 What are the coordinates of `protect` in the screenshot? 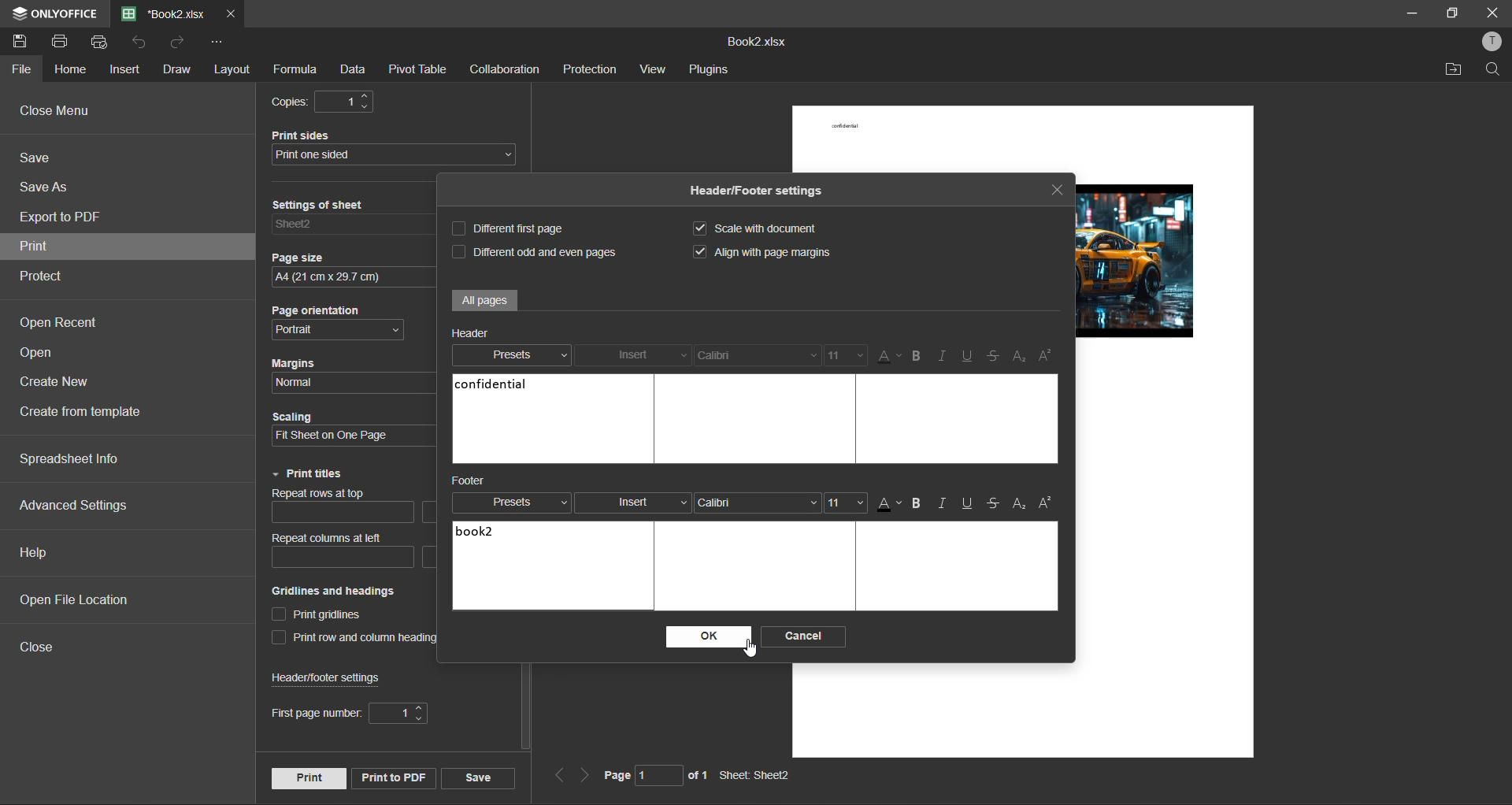 It's located at (46, 277).